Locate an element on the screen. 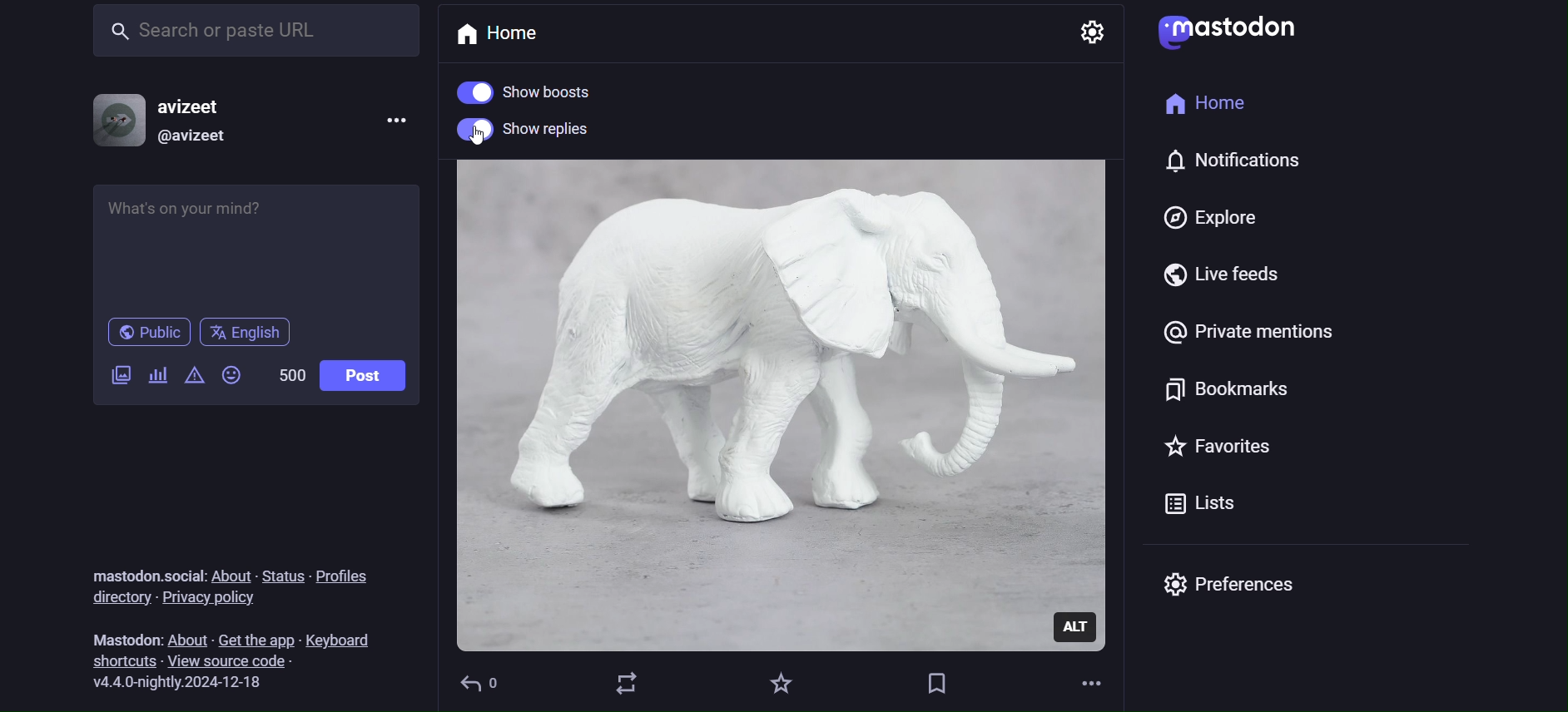  keyboard is located at coordinates (345, 636).